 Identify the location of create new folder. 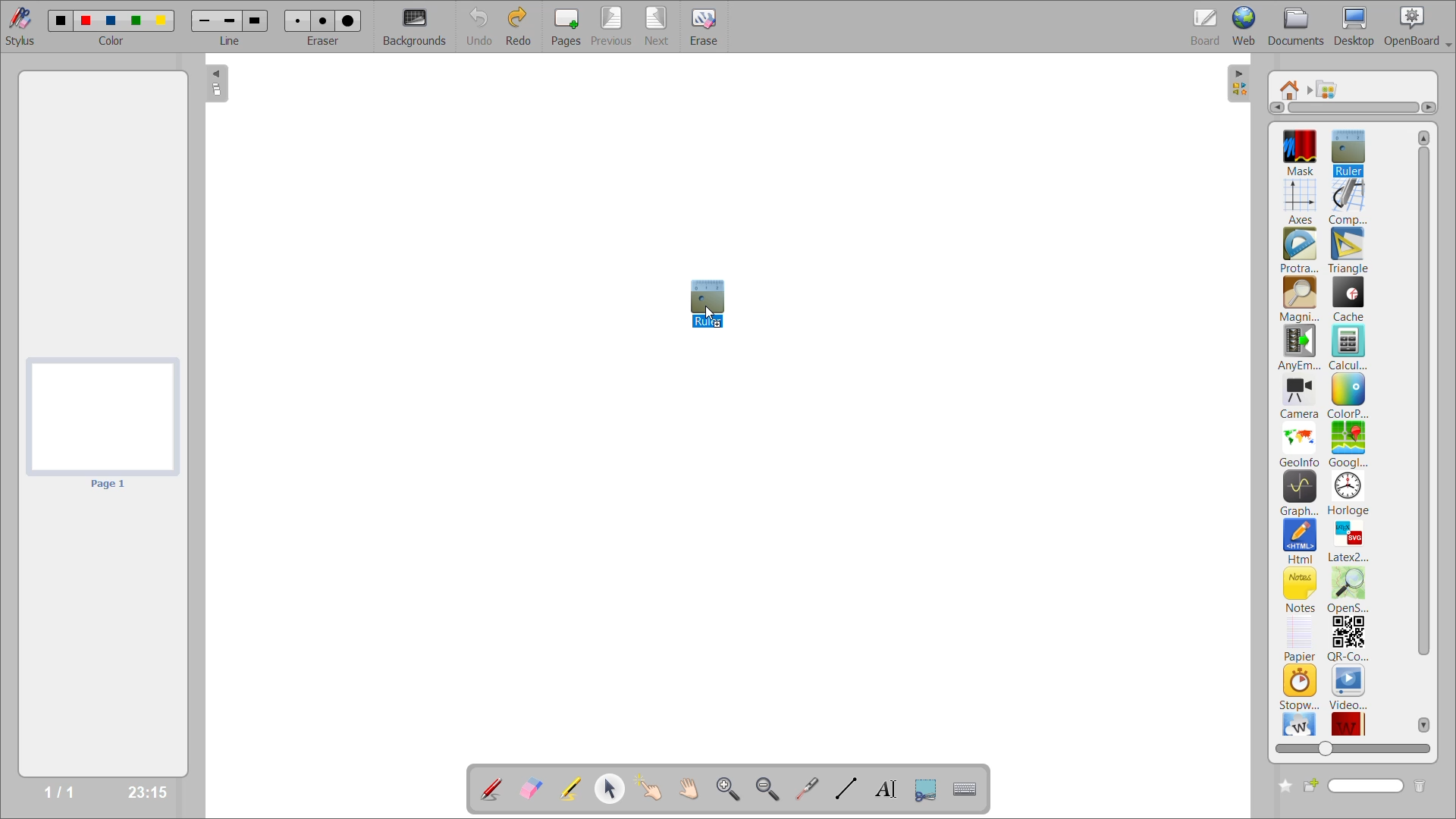
(1282, 786).